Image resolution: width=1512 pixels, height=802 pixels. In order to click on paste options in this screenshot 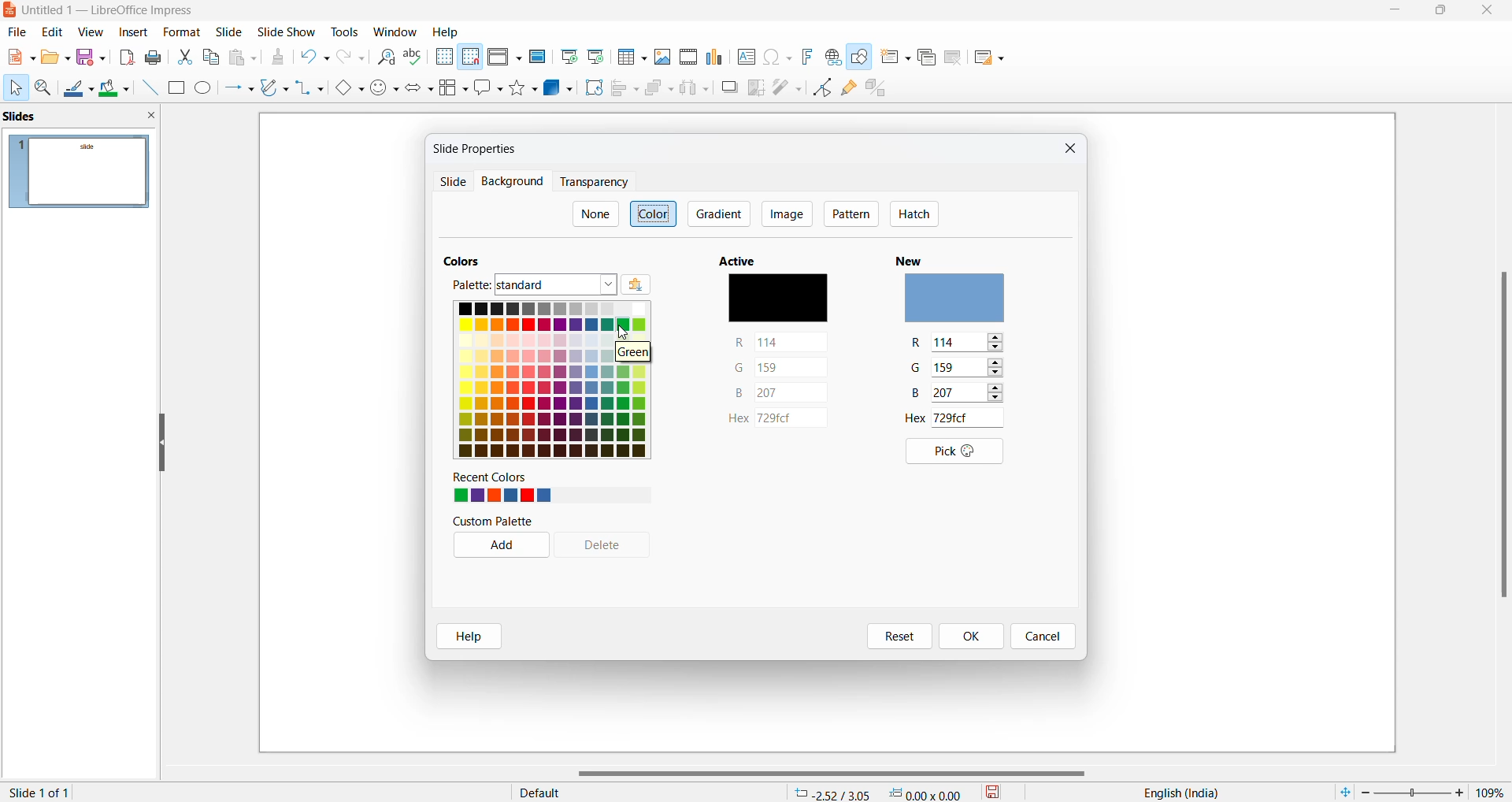, I will do `click(246, 58)`.